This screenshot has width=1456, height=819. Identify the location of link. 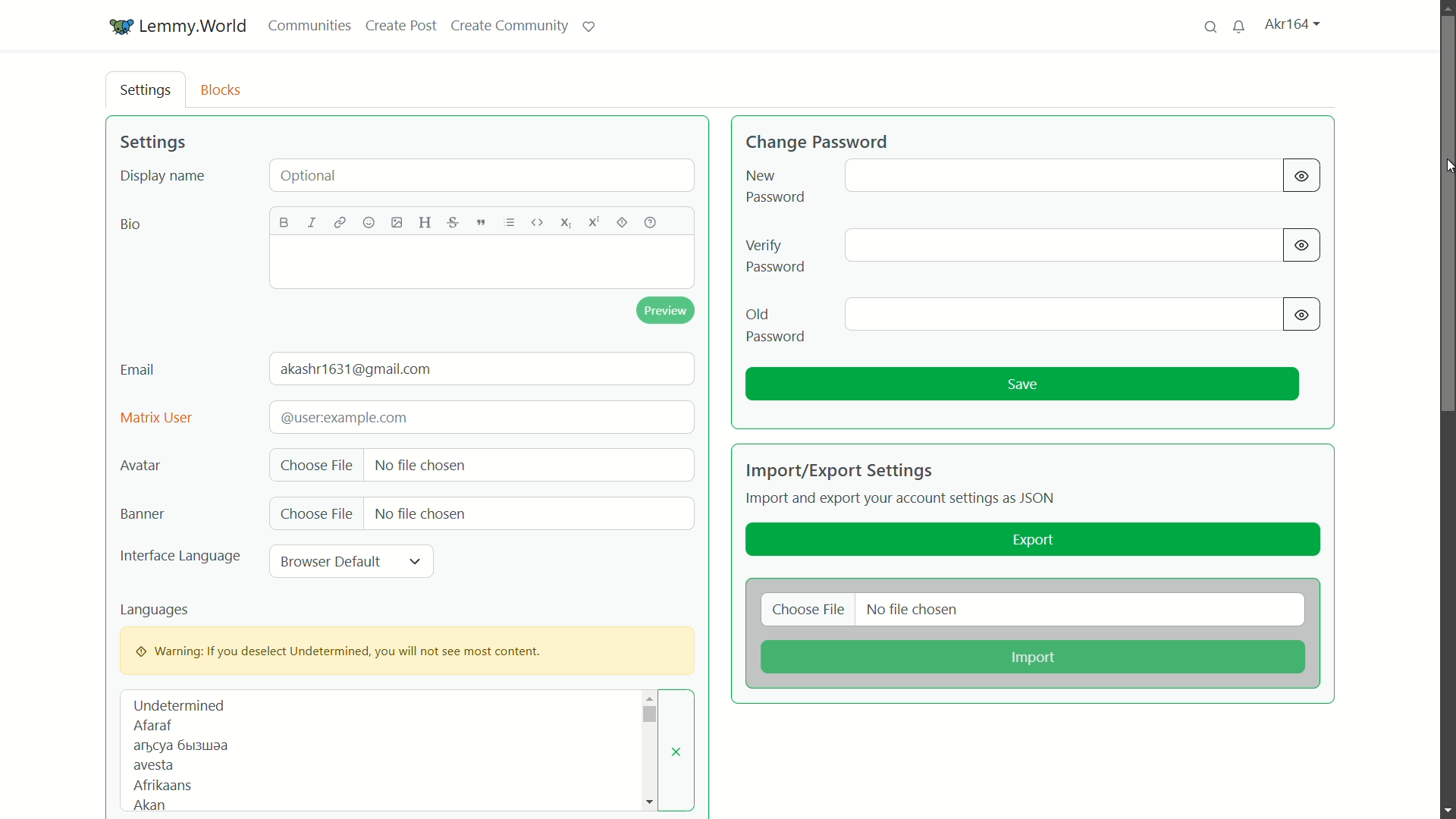
(344, 222).